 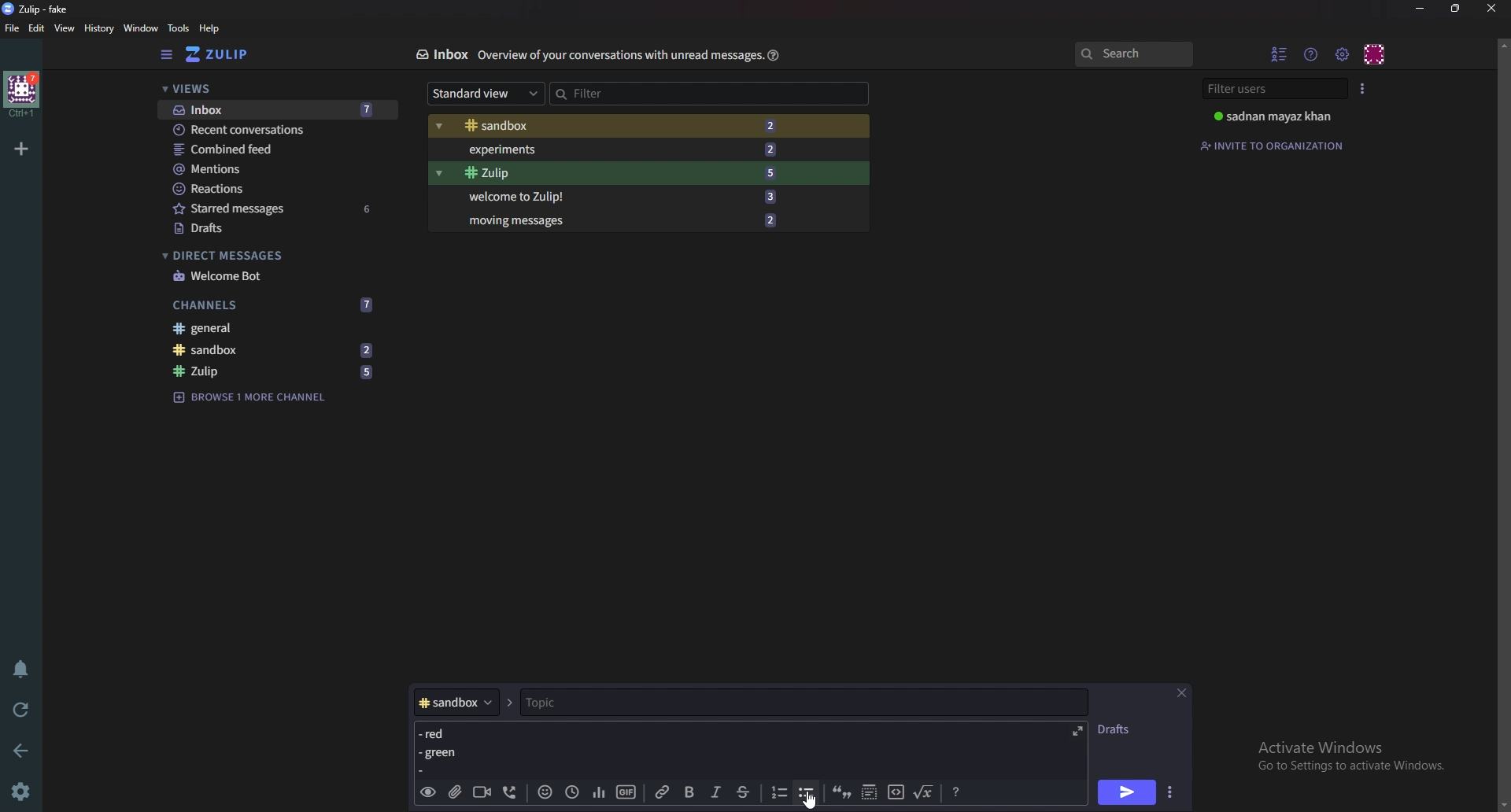 What do you see at coordinates (228, 54) in the screenshot?
I see `Home view` at bounding box center [228, 54].